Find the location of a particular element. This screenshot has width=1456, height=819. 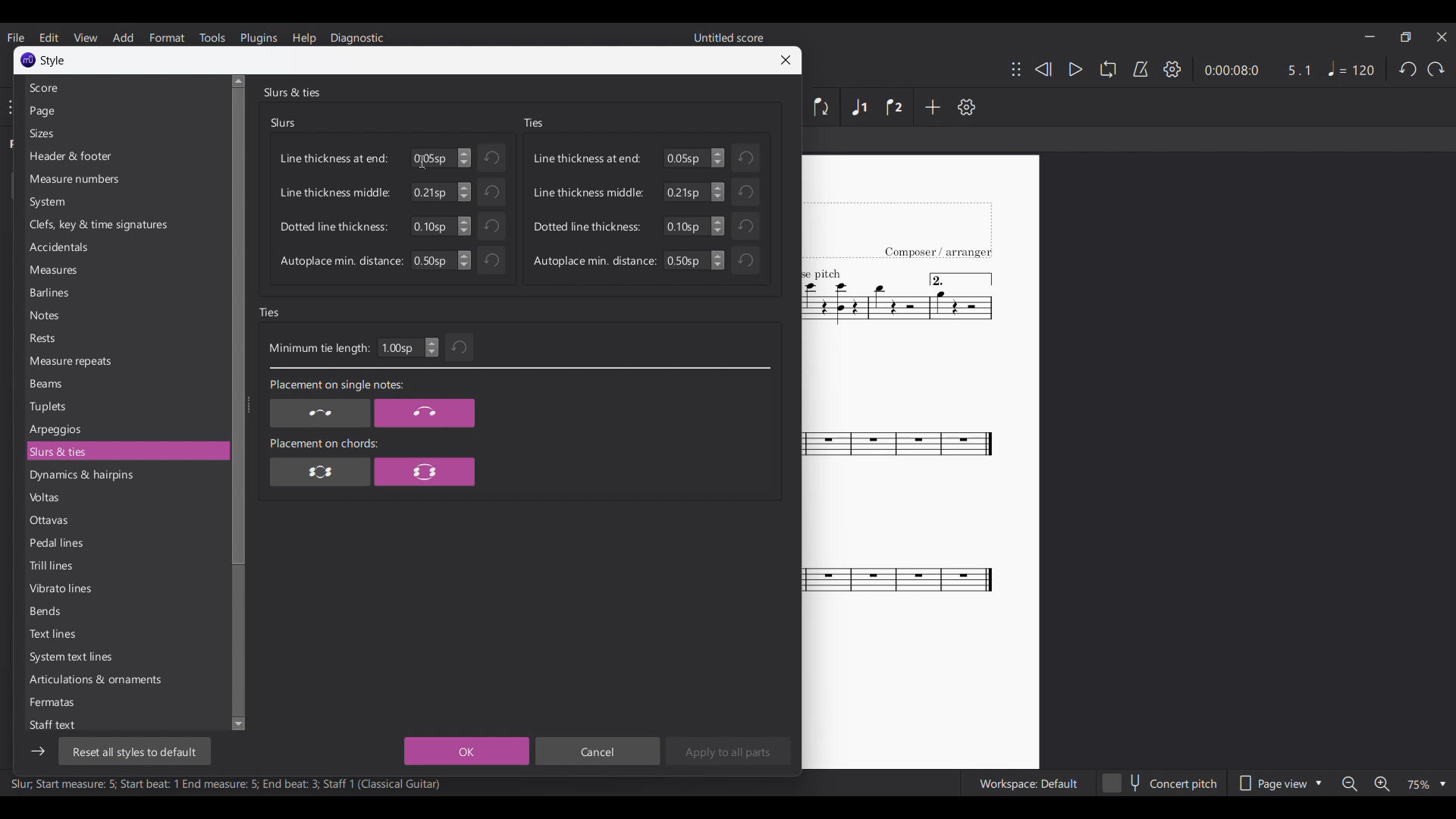

Loop playback is located at coordinates (1108, 69).